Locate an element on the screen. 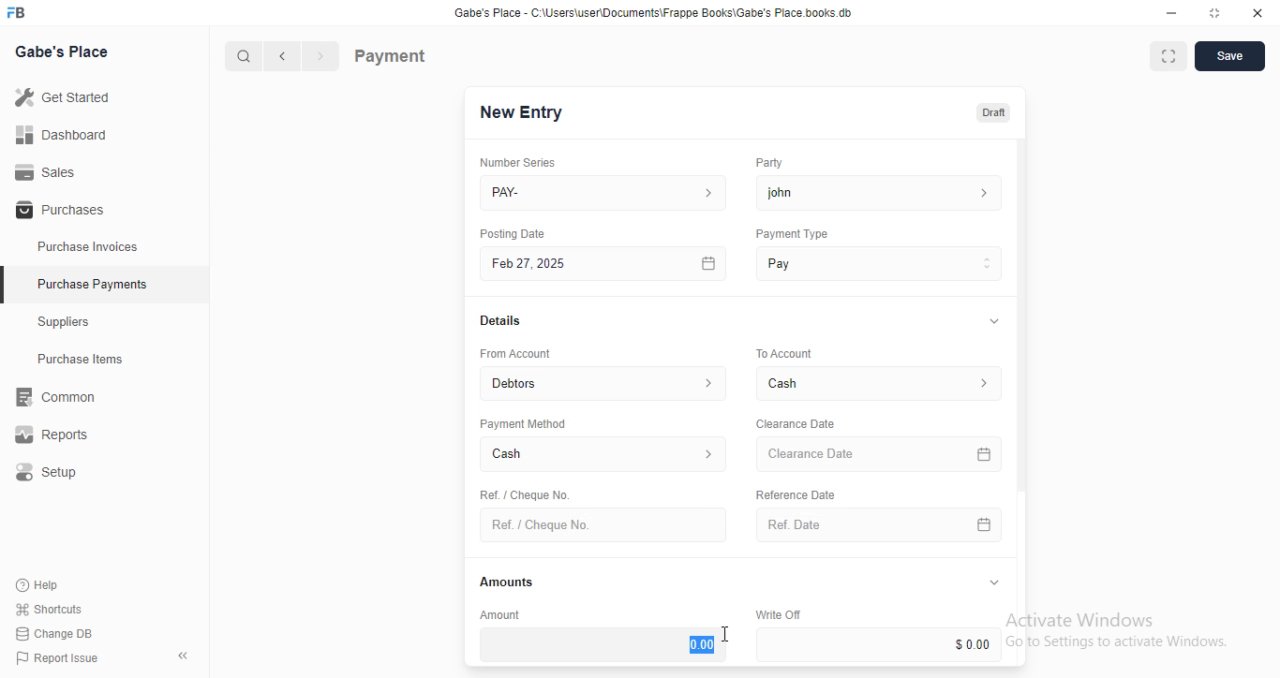 The image size is (1280, 678). Help is located at coordinates (40, 586).